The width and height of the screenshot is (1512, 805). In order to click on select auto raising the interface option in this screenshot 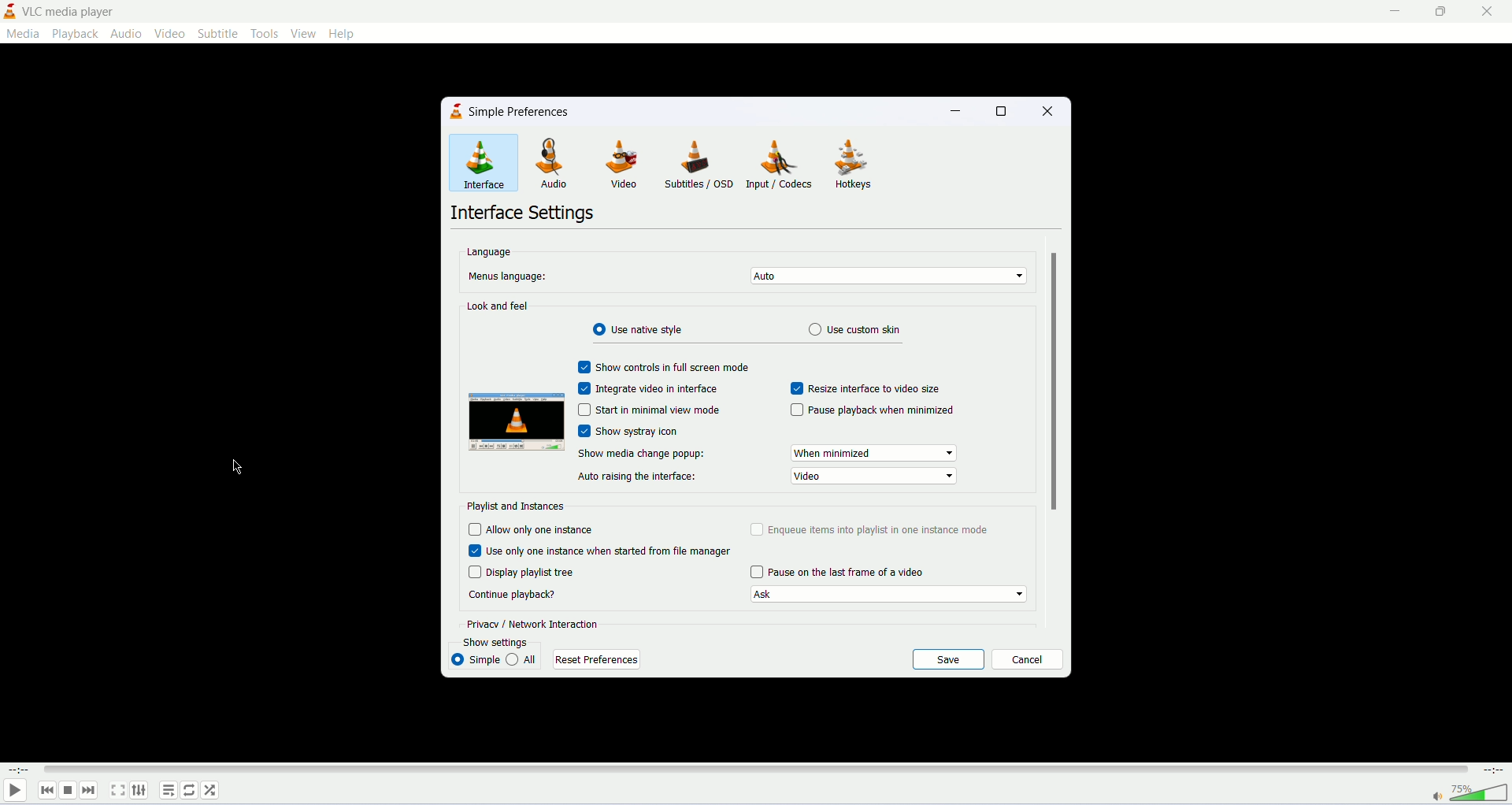, I will do `click(873, 476)`.